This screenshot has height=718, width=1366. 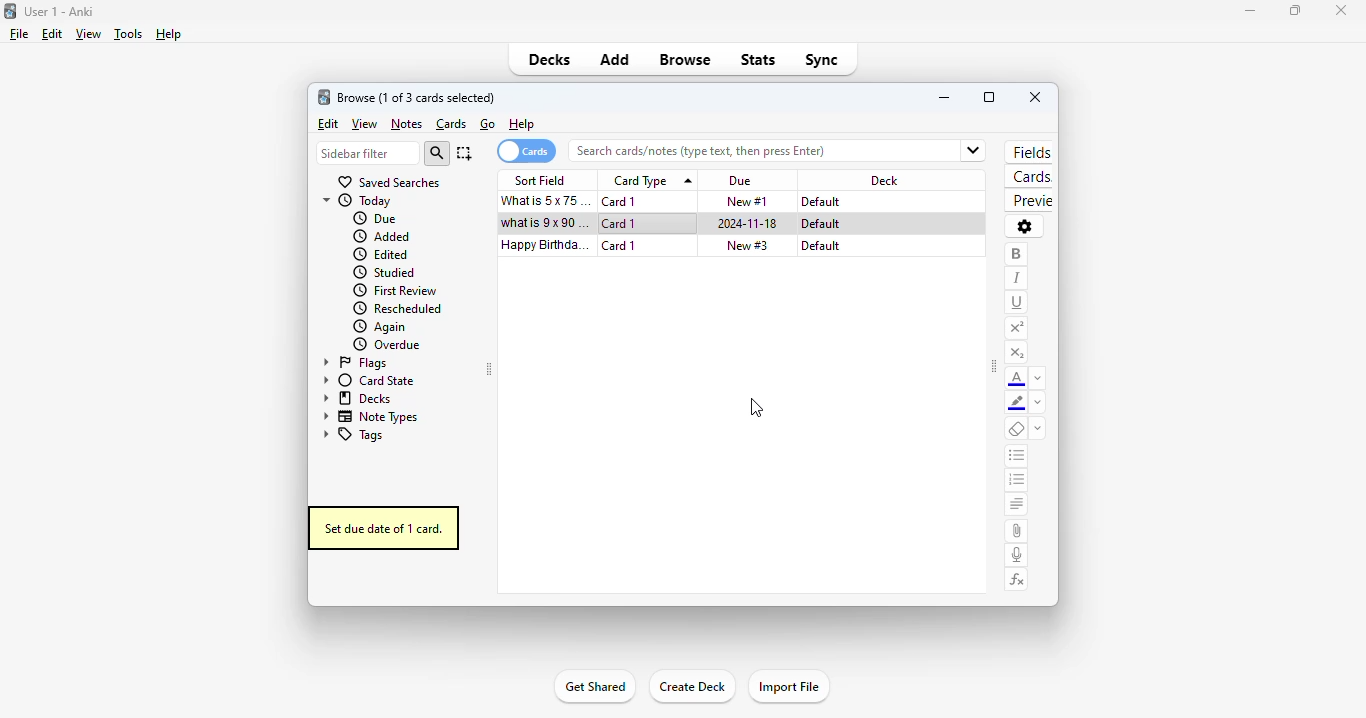 What do you see at coordinates (1025, 227) in the screenshot?
I see `options` at bounding box center [1025, 227].